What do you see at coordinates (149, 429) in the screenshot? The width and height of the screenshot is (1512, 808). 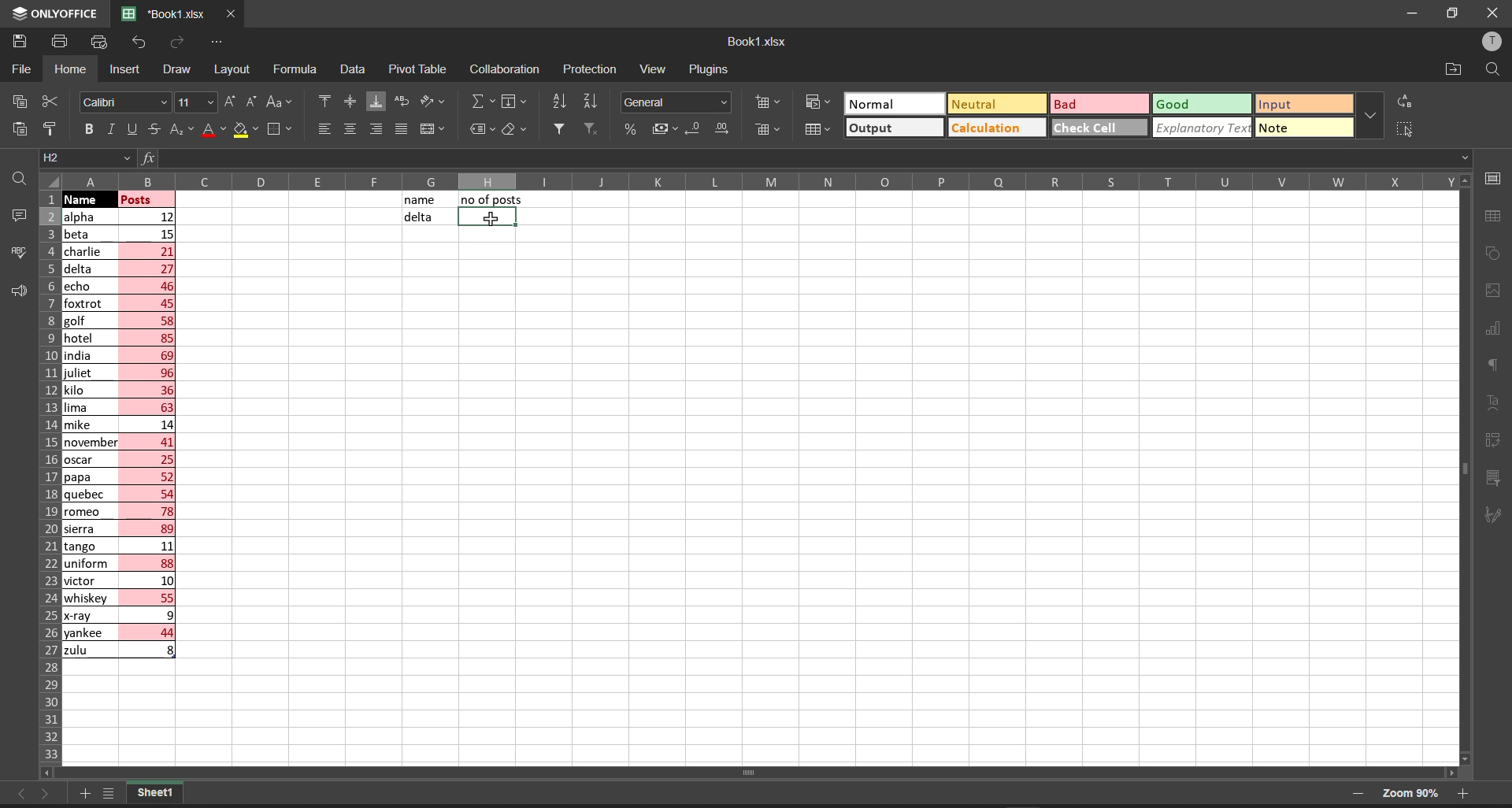 I see `posts` at bounding box center [149, 429].